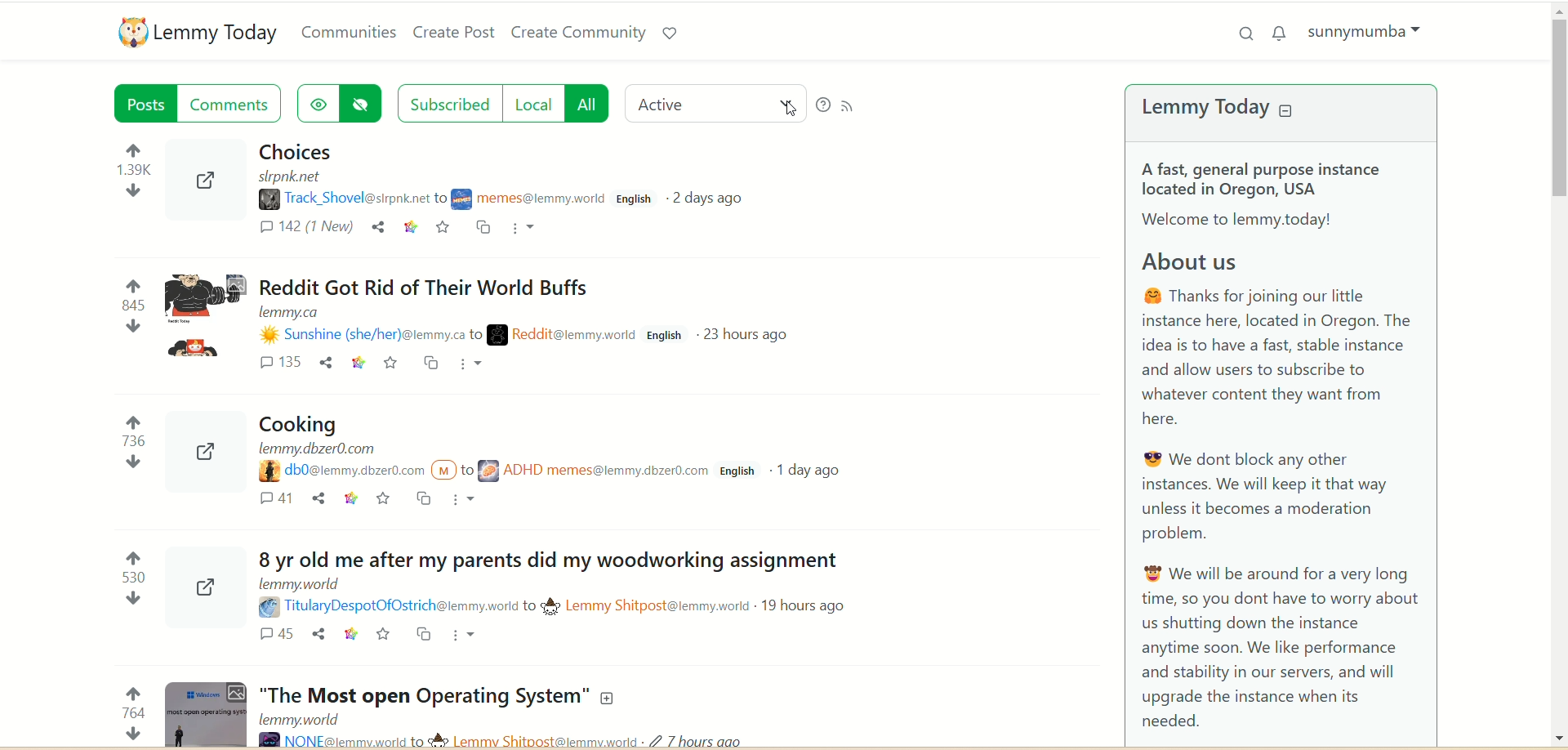 Image resolution: width=1568 pixels, height=750 pixels. I want to click on comments, so click(234, 104).